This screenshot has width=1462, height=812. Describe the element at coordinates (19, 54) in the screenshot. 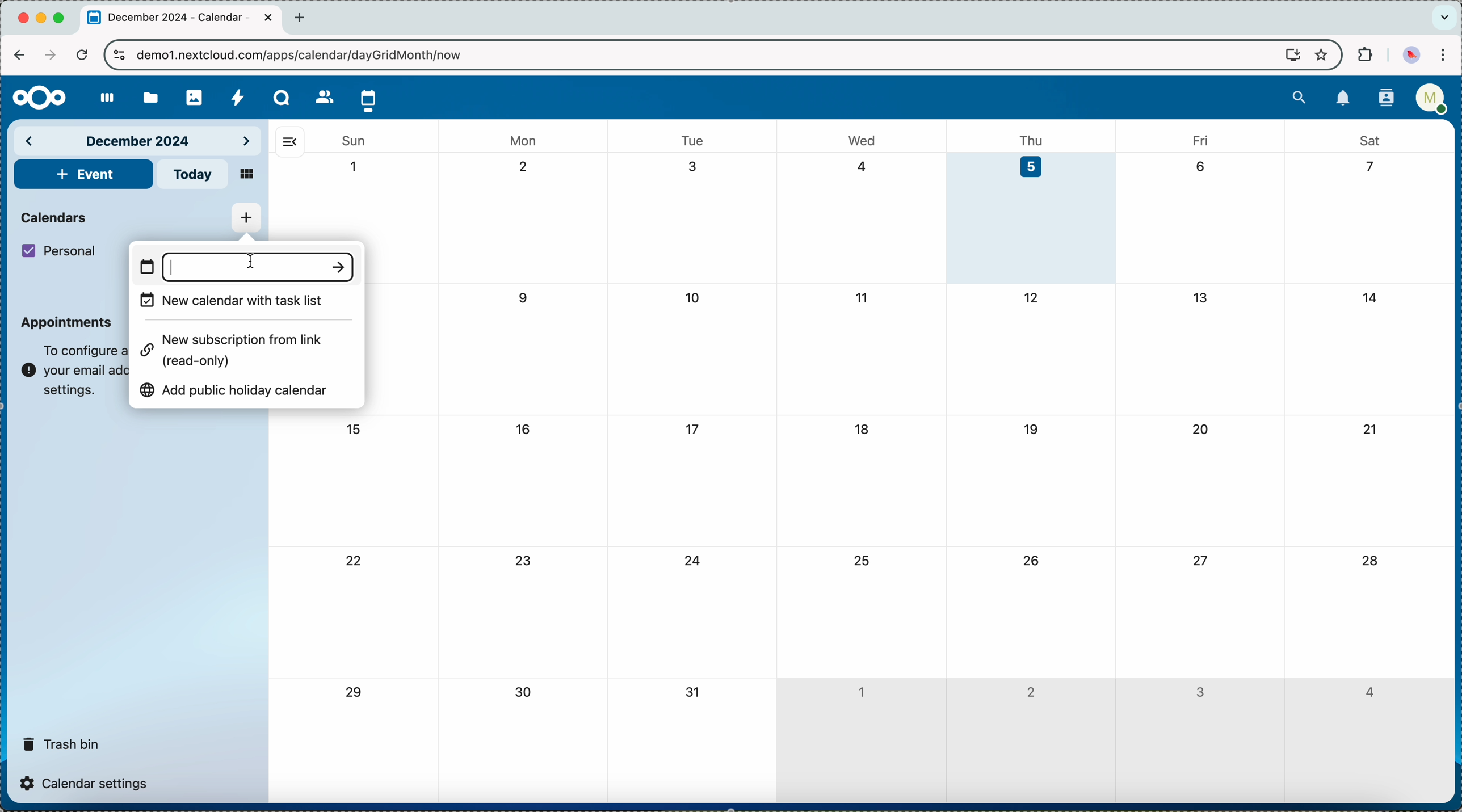

I see `navigate back` at that location.